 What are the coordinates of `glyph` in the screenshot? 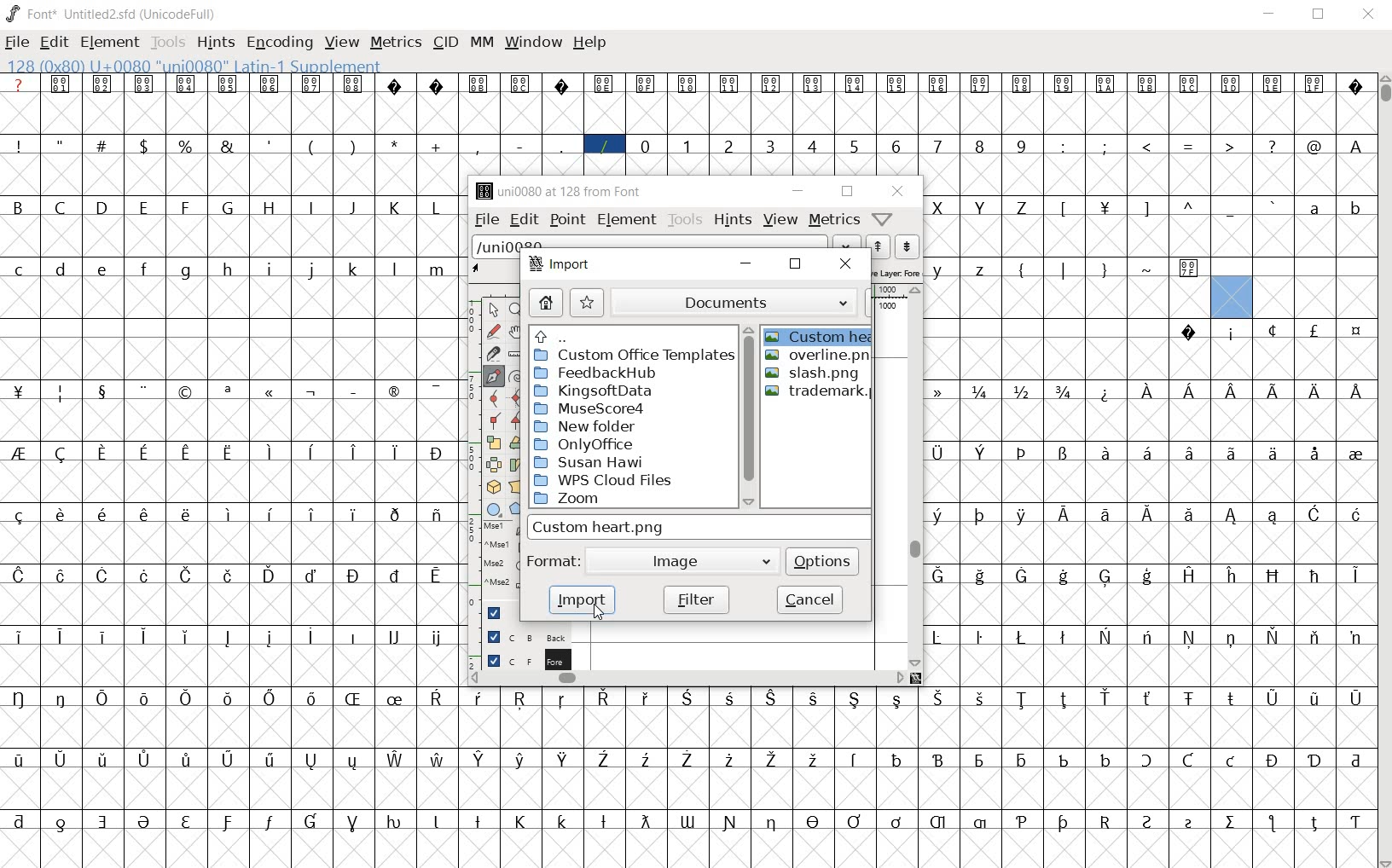 It's located at (603, 84).